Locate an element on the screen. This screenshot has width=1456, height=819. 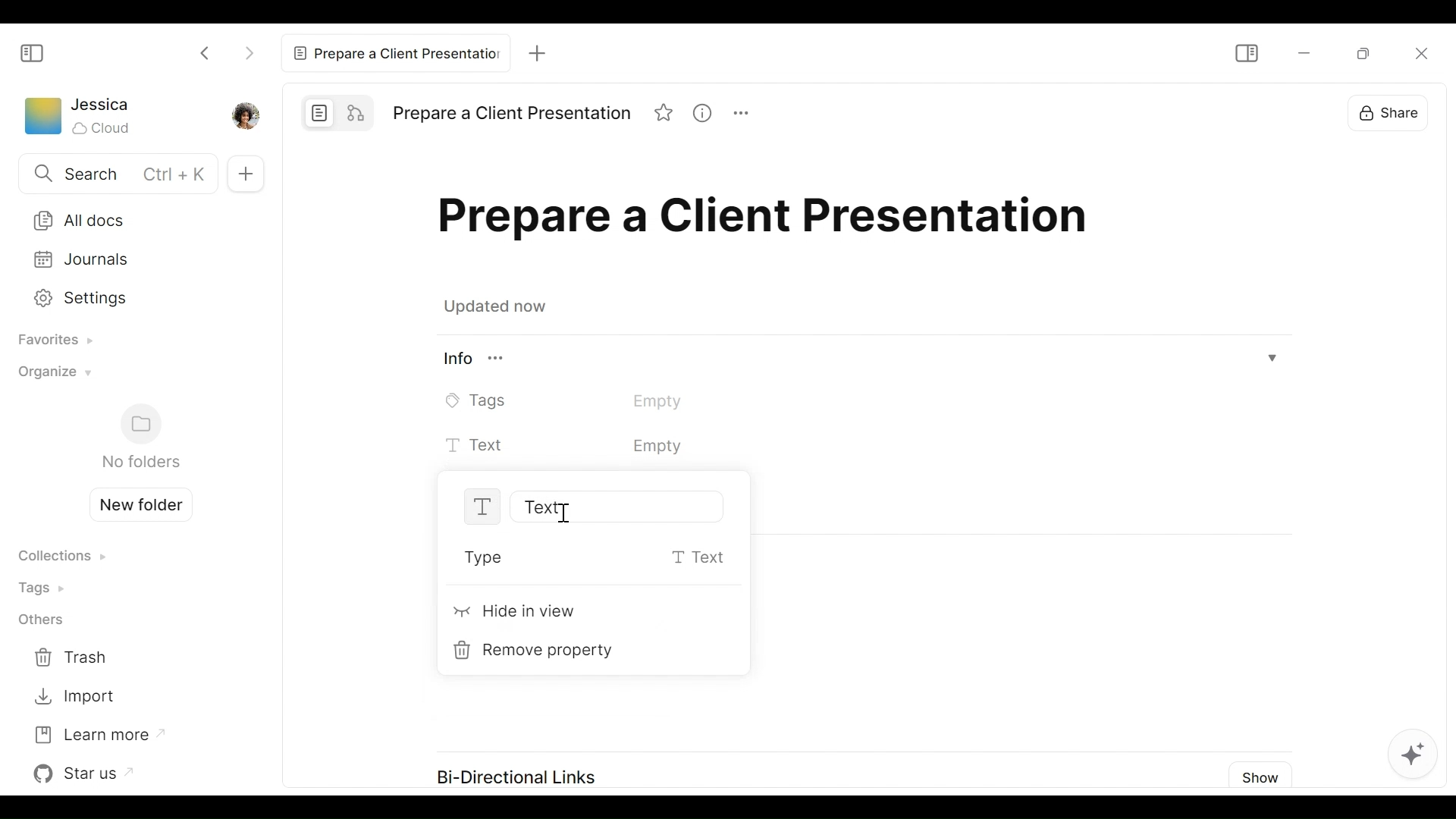
AI is located at coordinates (1417, 752).